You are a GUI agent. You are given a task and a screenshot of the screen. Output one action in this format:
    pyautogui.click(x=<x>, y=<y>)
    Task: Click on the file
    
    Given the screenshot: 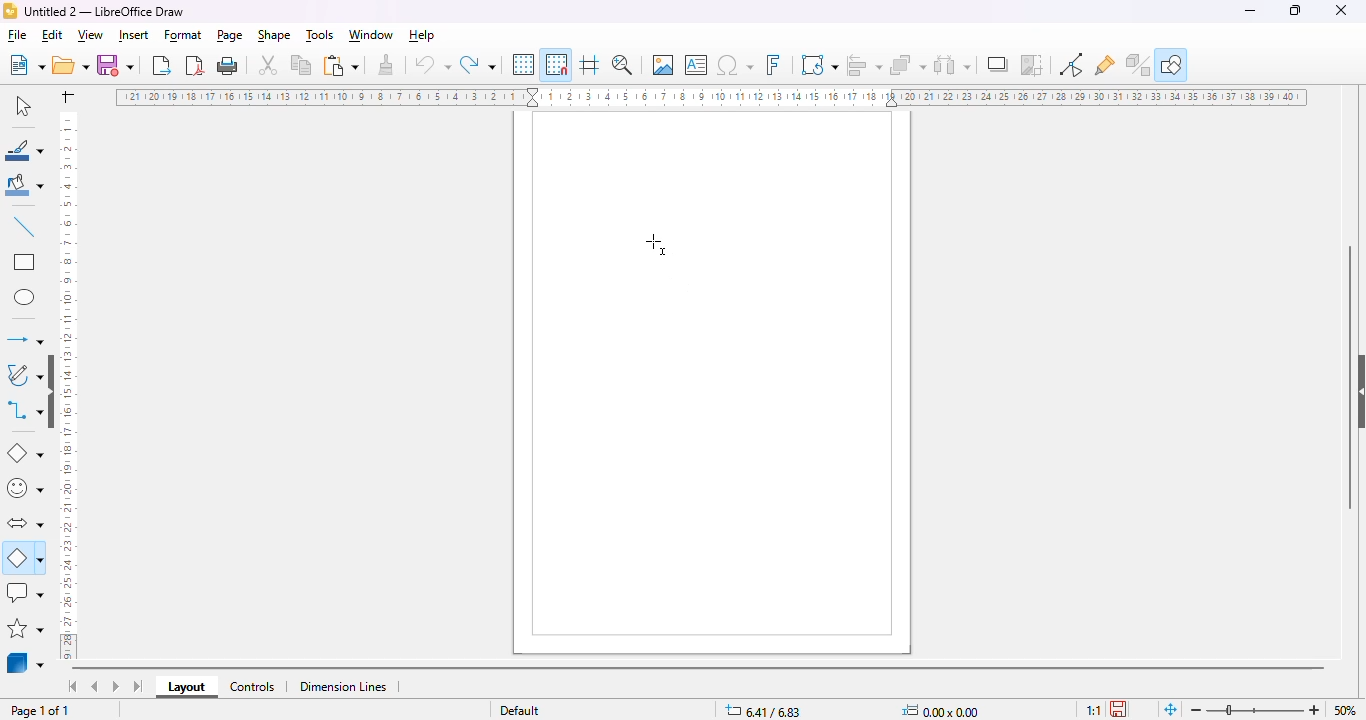 What is the action you would take?
    pyautogui.click(x=16, y=37)
    